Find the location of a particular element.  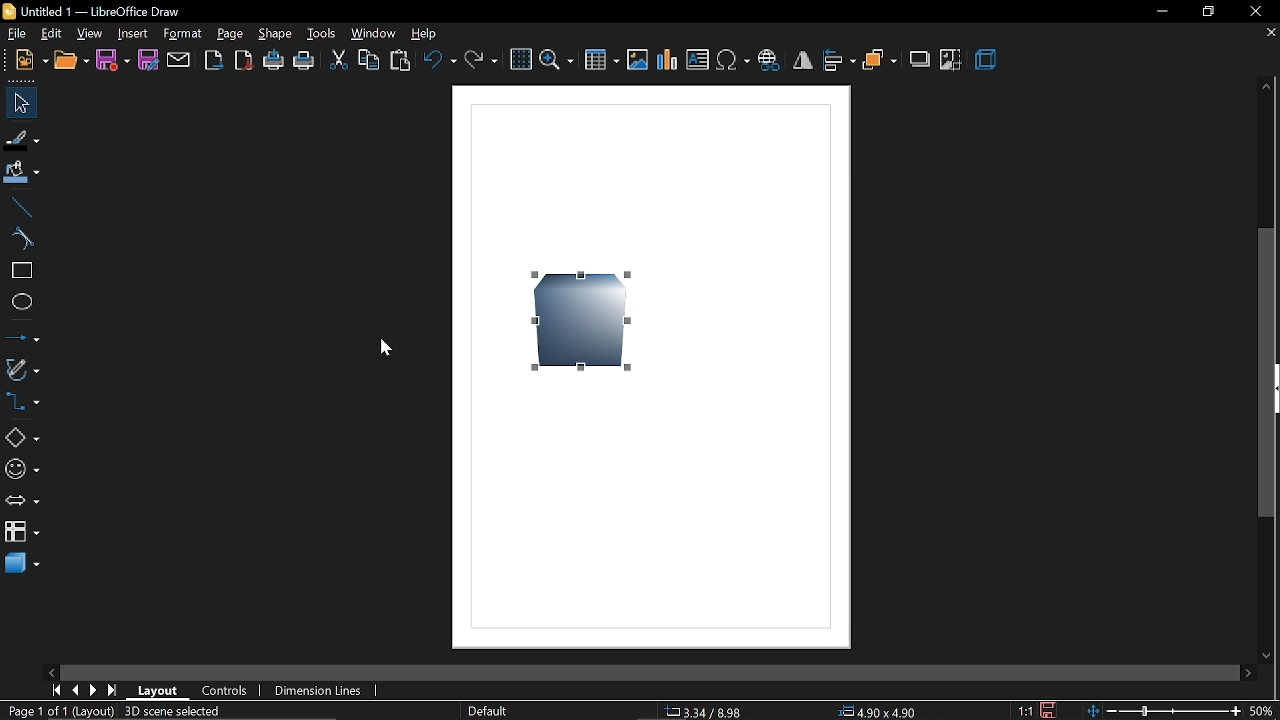

Insert is located at coordinates (133, 34).